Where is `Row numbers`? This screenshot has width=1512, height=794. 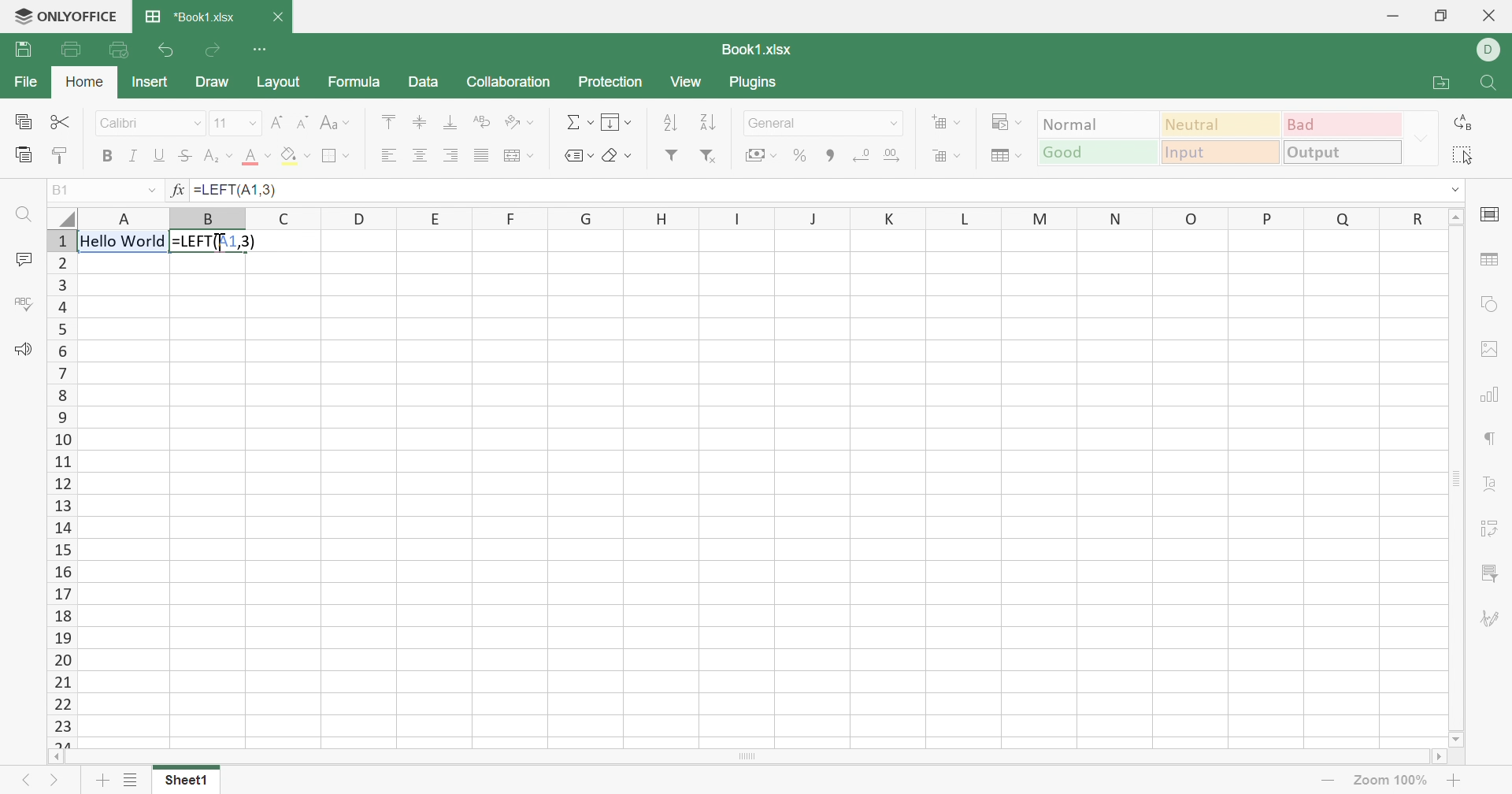
Row numbers is located at coordinates (62, 488).